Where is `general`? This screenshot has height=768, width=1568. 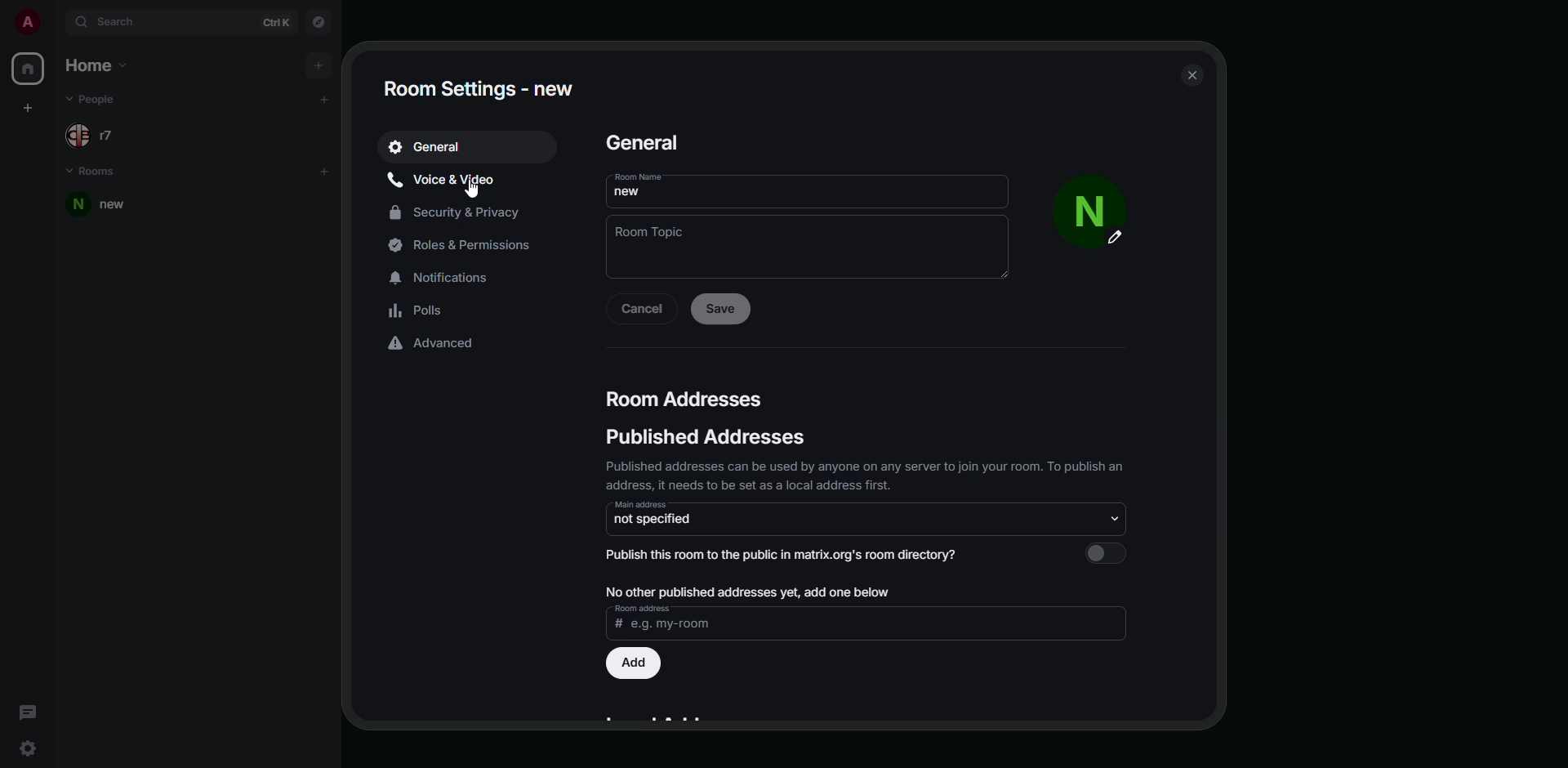 general is located at coordinates (657, 145).